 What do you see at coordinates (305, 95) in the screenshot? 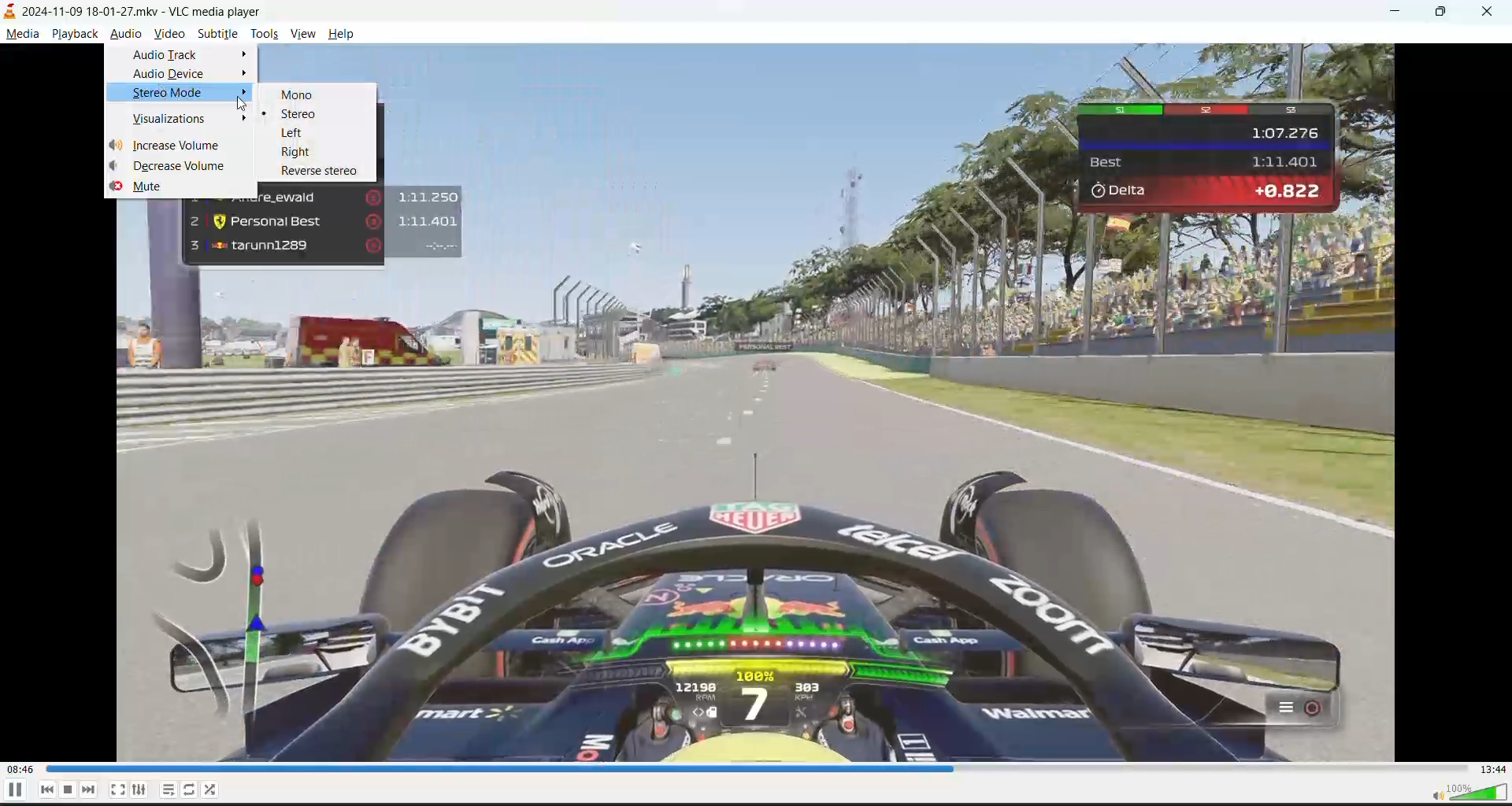
I see `mono` at bounding box center [305, 95].